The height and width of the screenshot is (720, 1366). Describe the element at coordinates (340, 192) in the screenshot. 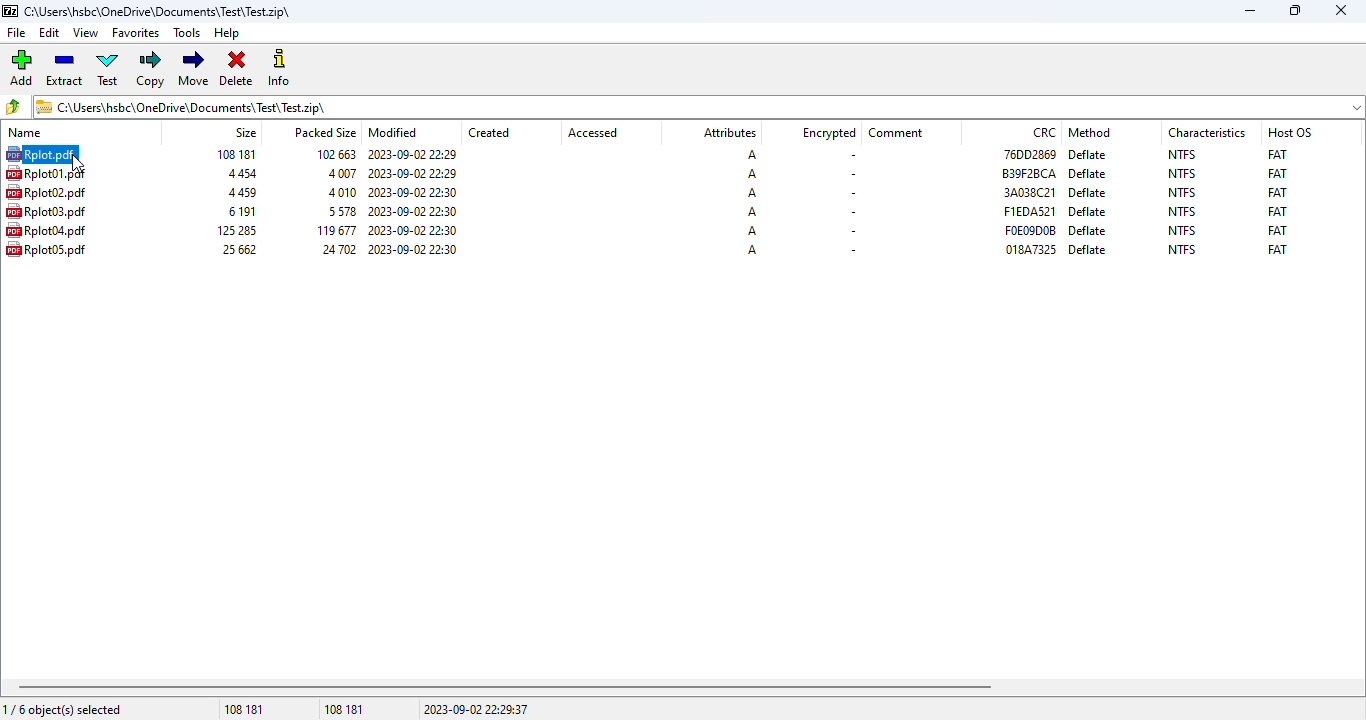

I see `packed size` at that location.